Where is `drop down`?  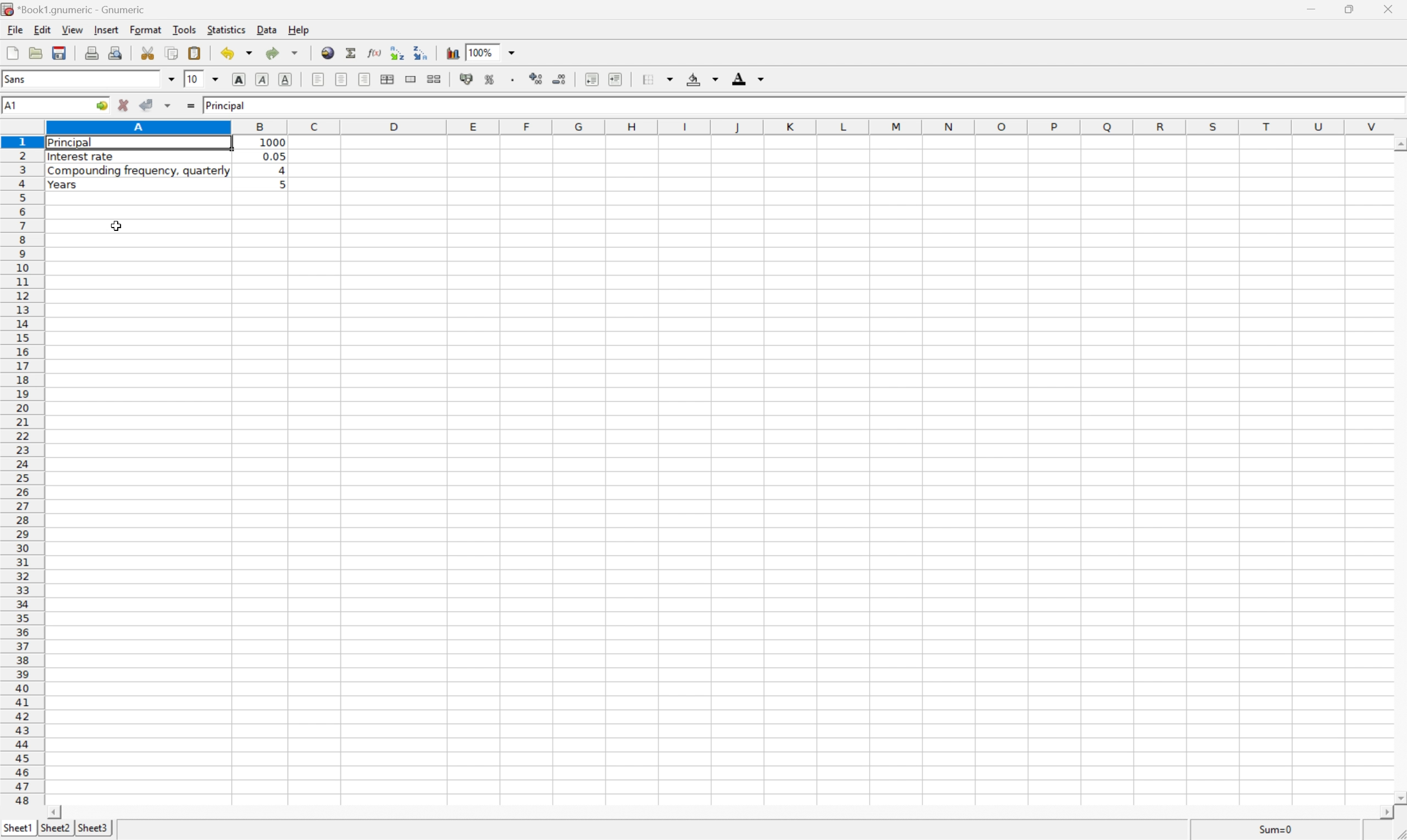
drop down is located at coordinates (513, 53).